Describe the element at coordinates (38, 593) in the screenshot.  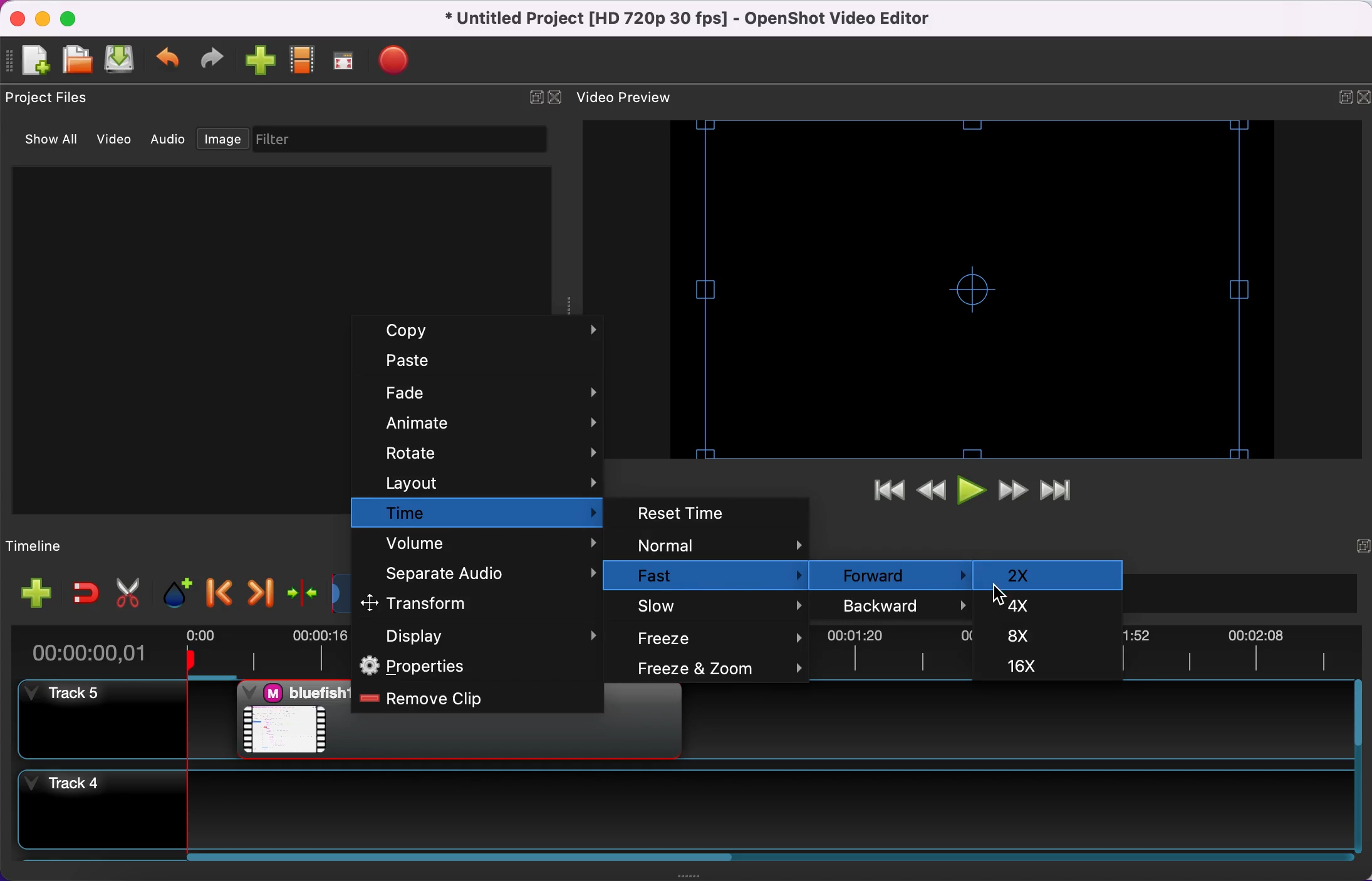
I see `add file` at that location.